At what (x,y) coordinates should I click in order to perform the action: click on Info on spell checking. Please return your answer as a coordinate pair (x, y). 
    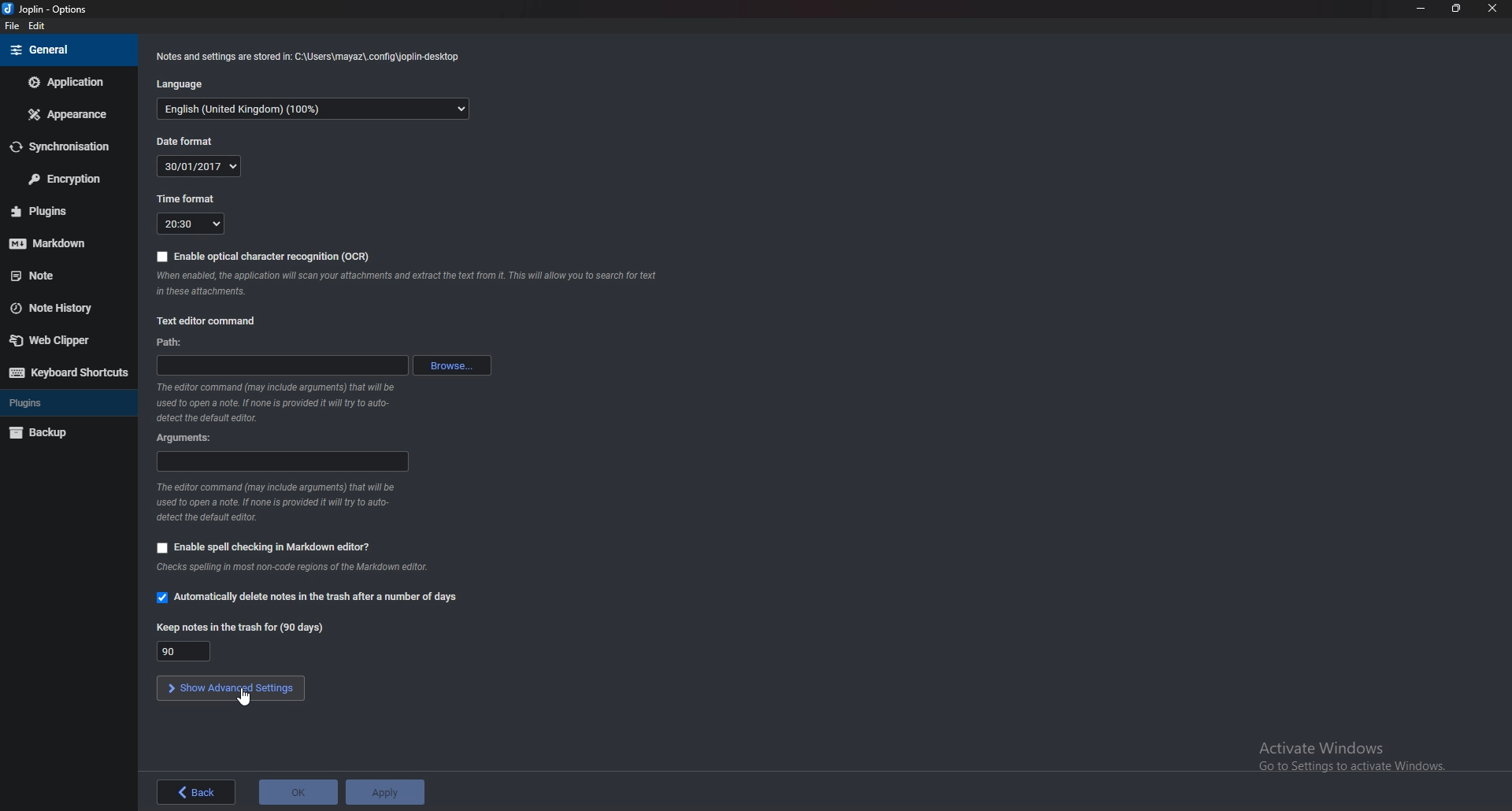
    Looking at the image, I should click on (298, 568).